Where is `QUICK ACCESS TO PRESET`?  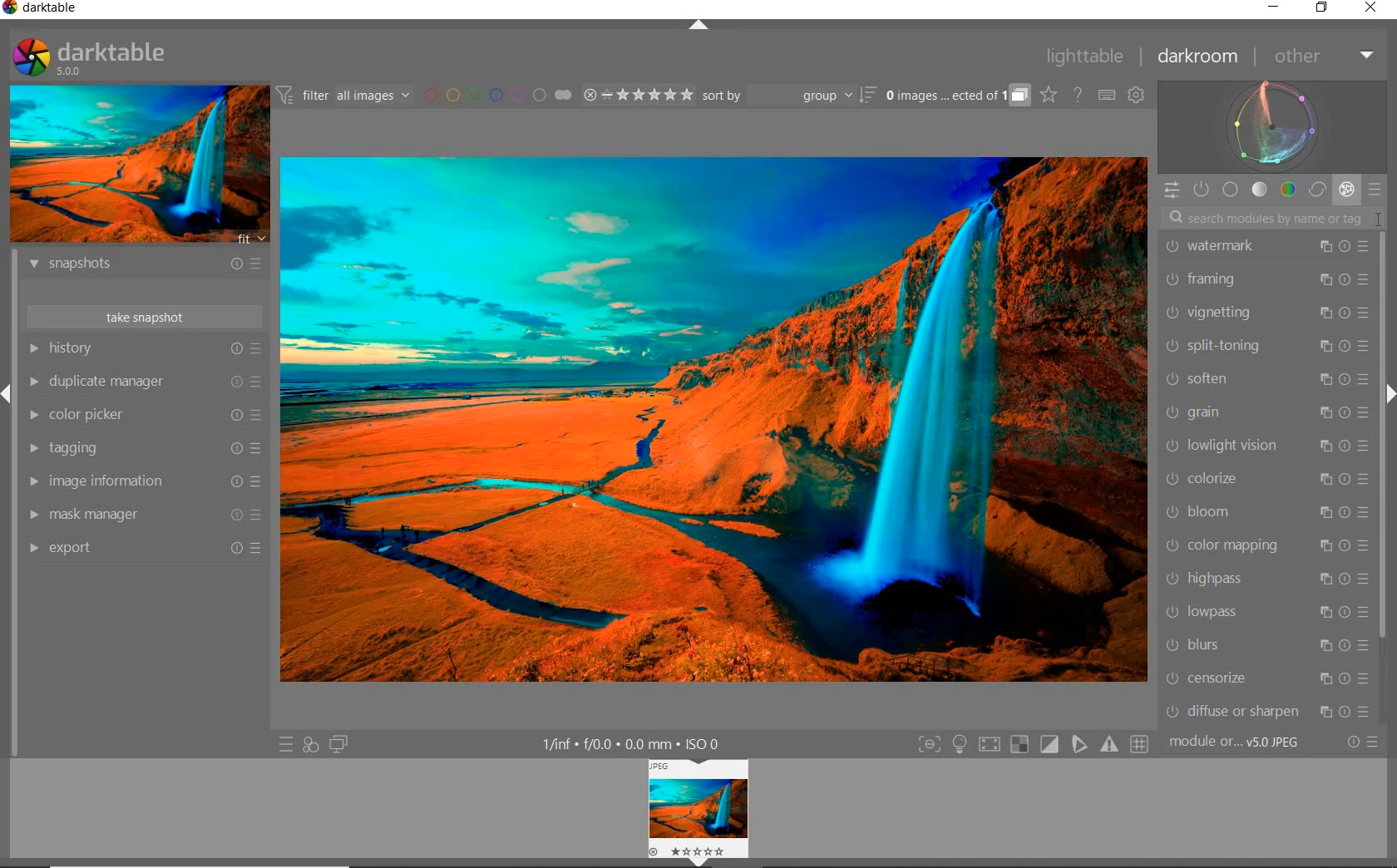 QUICK ACCESS TO PRESET is located at coordinates (285, 743).